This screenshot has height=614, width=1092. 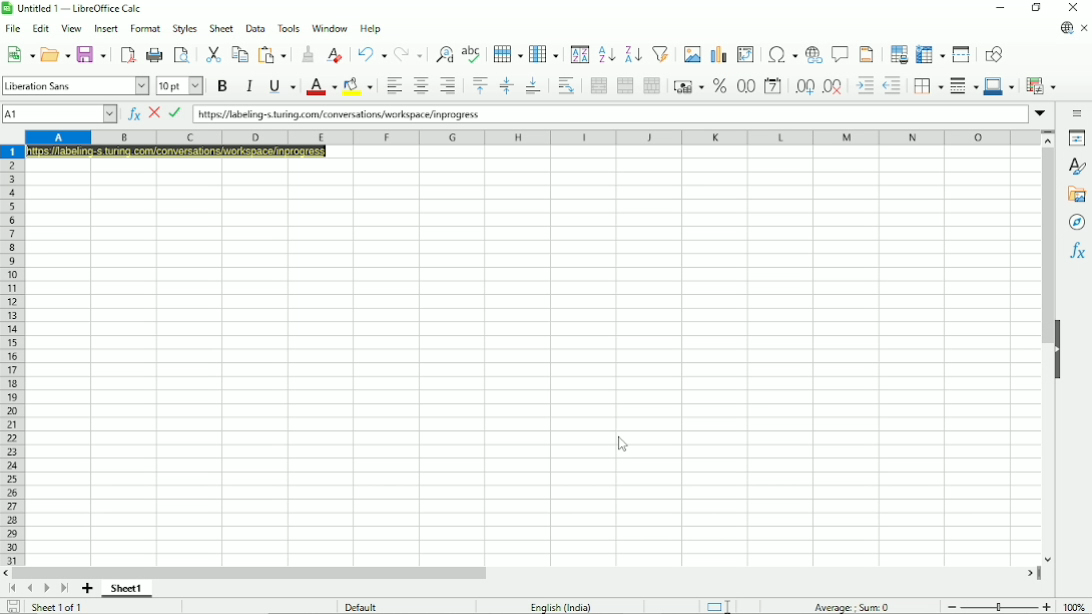 What do you see at coordinates (865, 85) in the screenshot?
I see `Increase indent` at bounding box center [865, 85].